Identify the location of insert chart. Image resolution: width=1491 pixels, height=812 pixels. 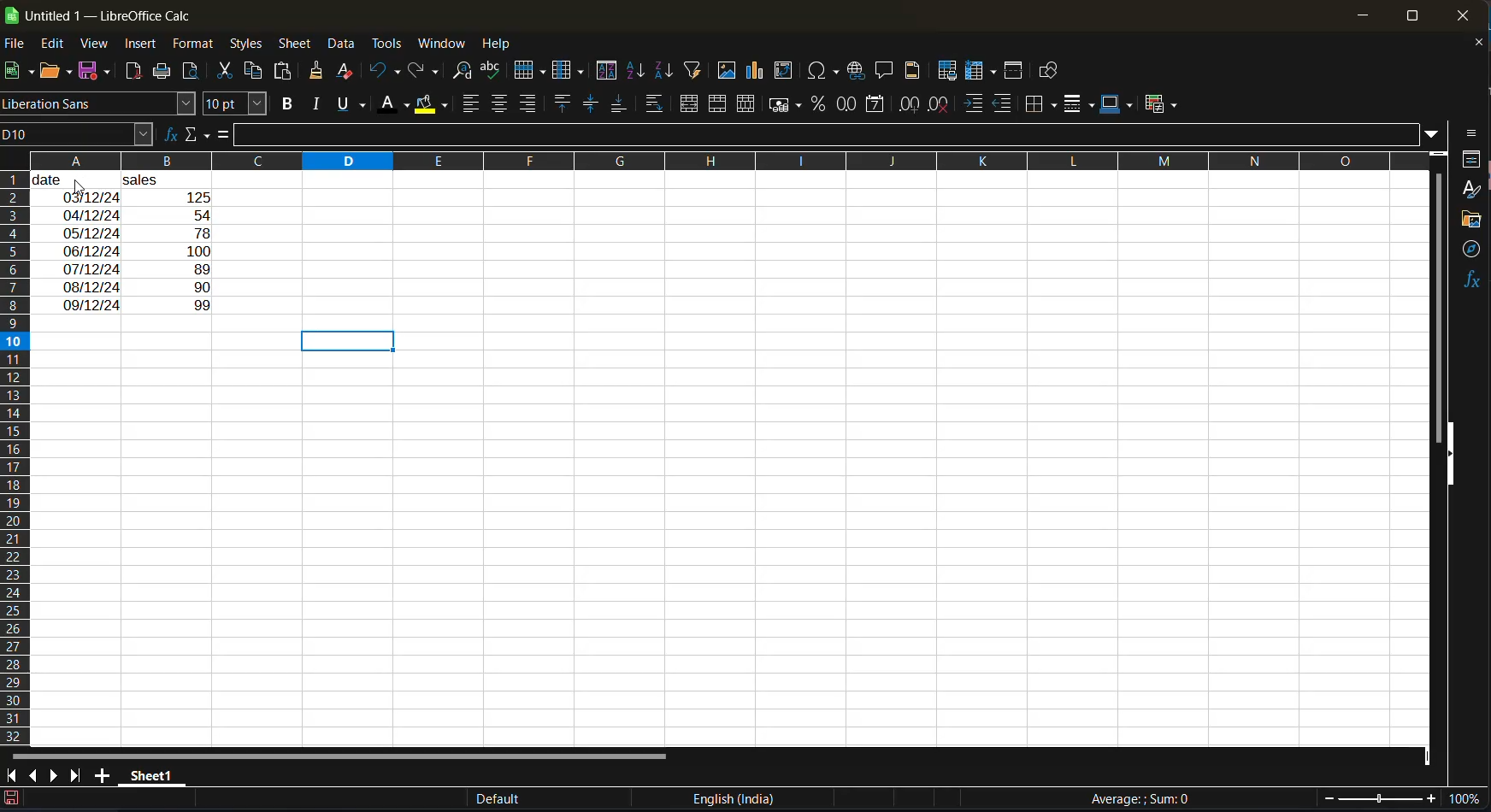
(756, 73).